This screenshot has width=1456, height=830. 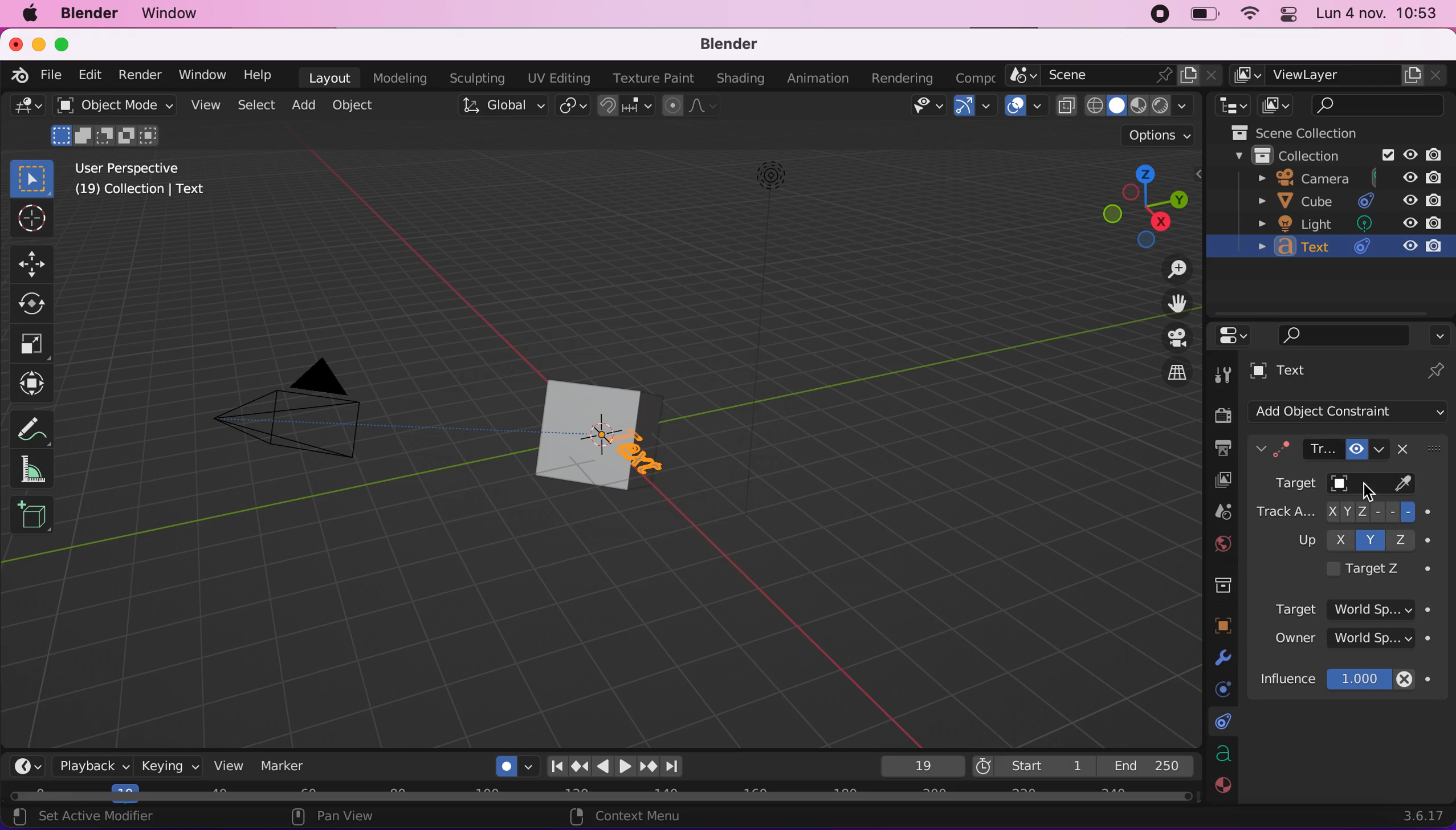 I want to click on view, so click(x=229, y=765).